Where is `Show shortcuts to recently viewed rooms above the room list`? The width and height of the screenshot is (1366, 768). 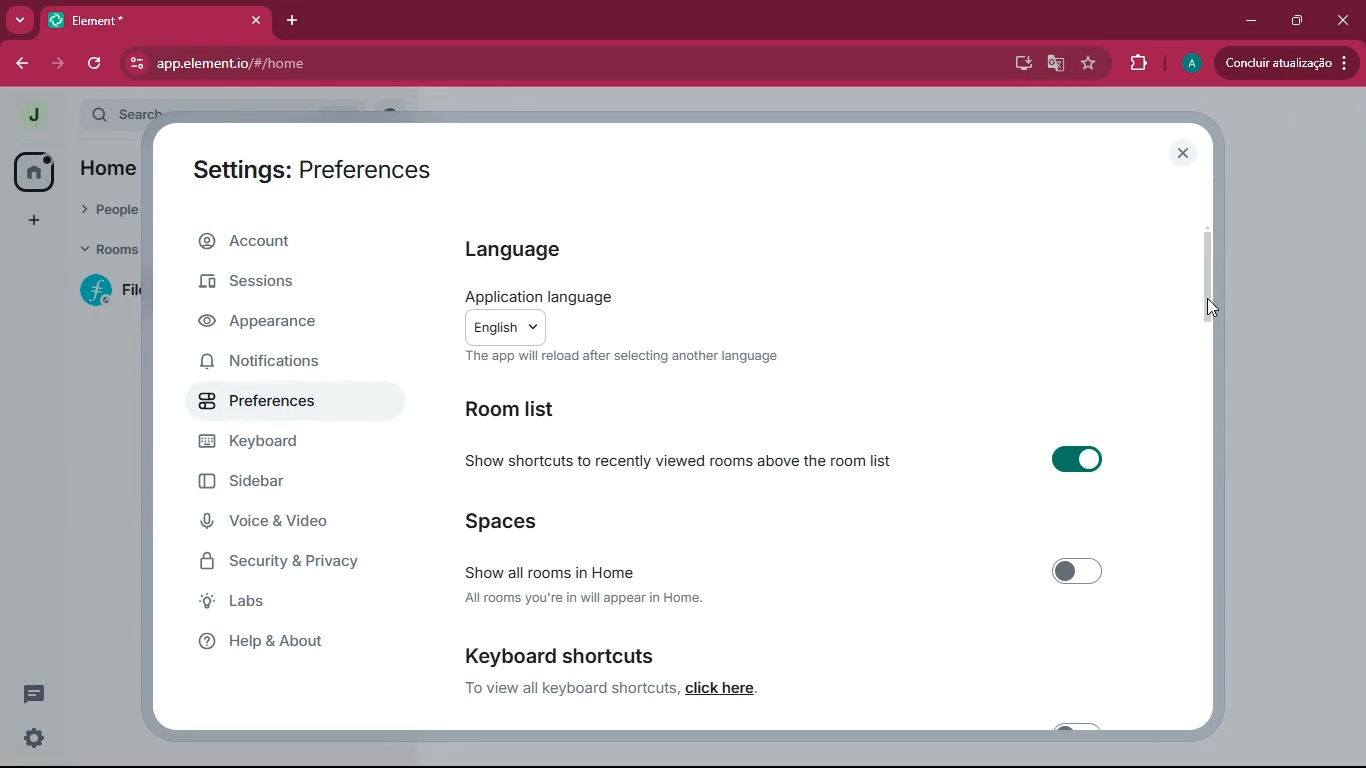 Show shortcuts to recently viewed rooms above the room list is located at coordinates (791, 462).